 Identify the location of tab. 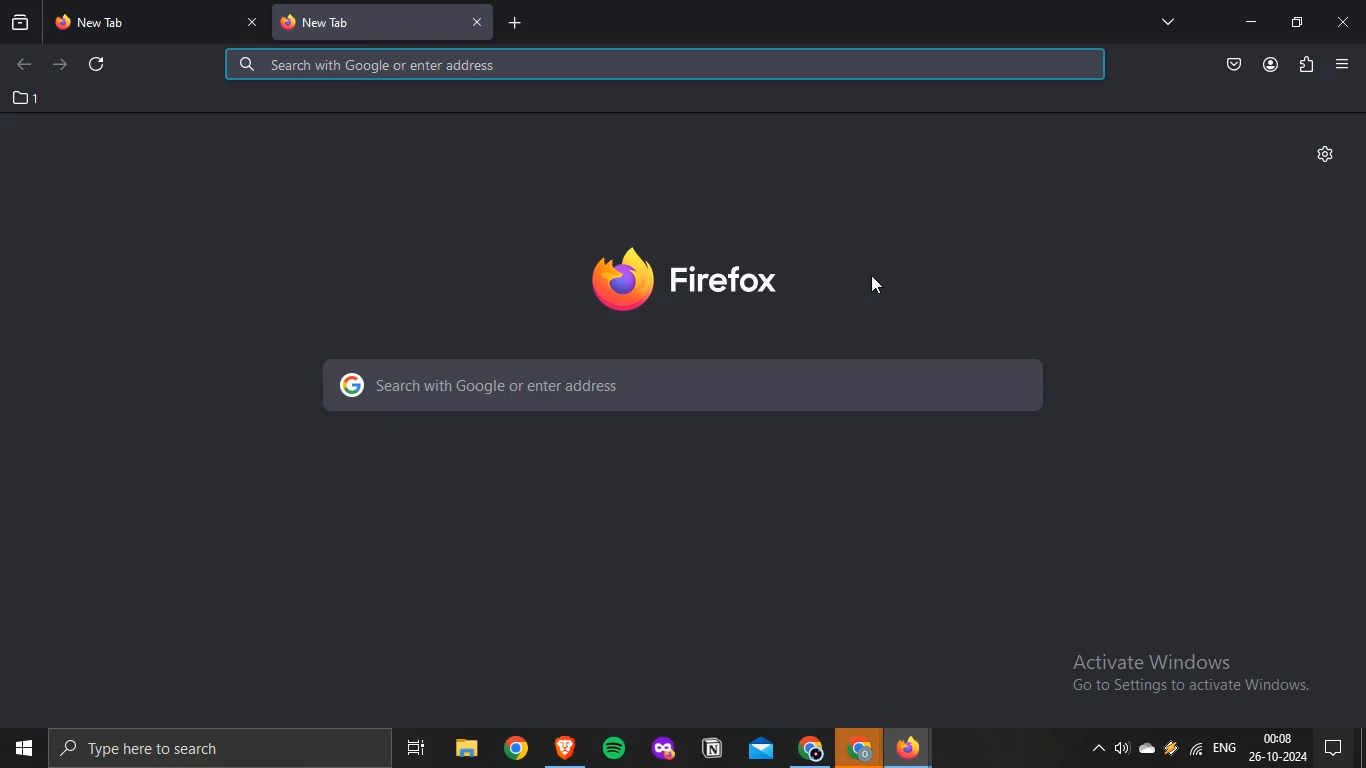
(143, 23).